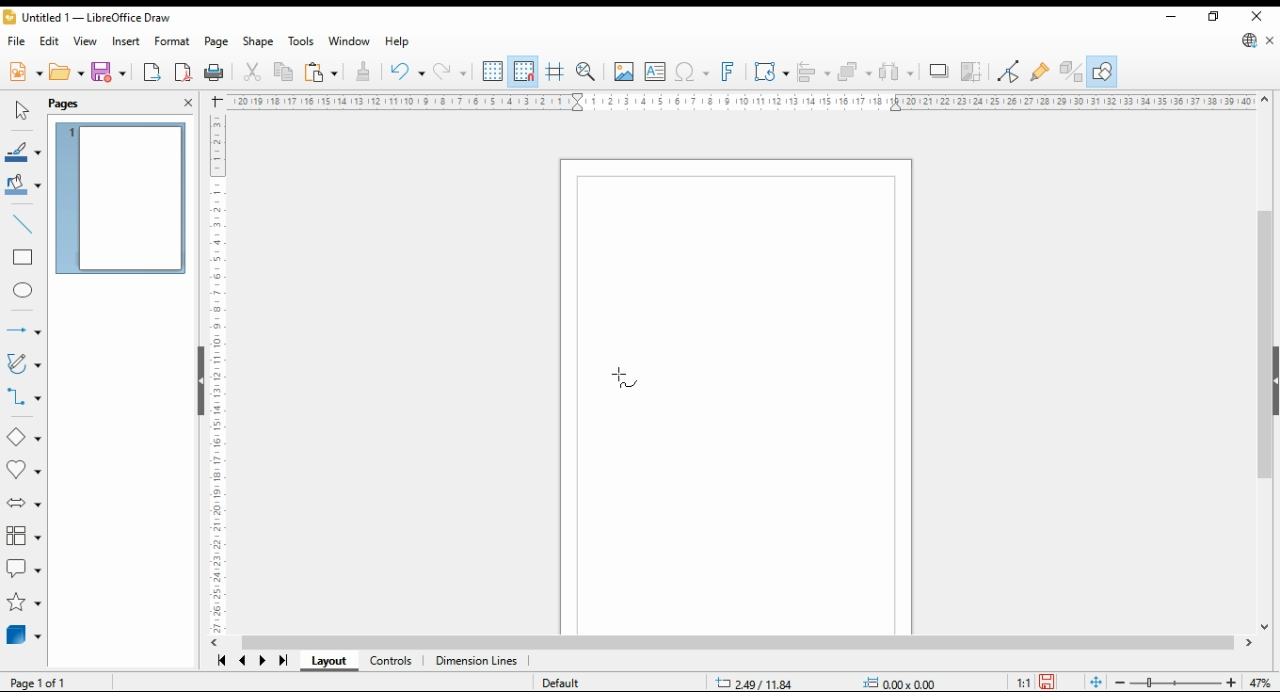 The width and height of the screenshot is (1280, 692). What do you see at coordinates (35, 683) in the screenshot?
I see `pagw 1 of 1` at bounding box center [35, 683].